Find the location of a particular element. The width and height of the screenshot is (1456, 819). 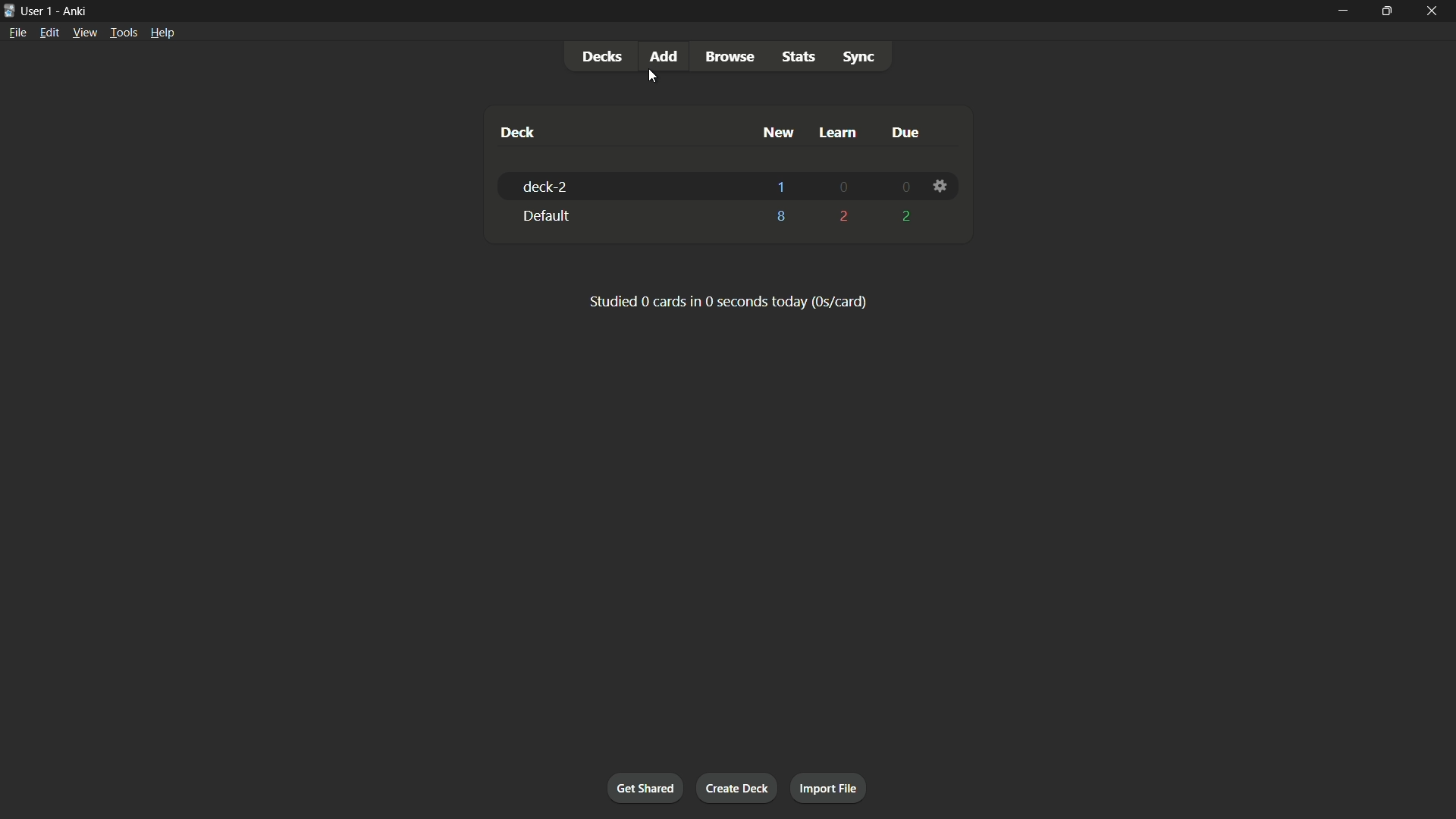

default is located at coordinates (547, 215).